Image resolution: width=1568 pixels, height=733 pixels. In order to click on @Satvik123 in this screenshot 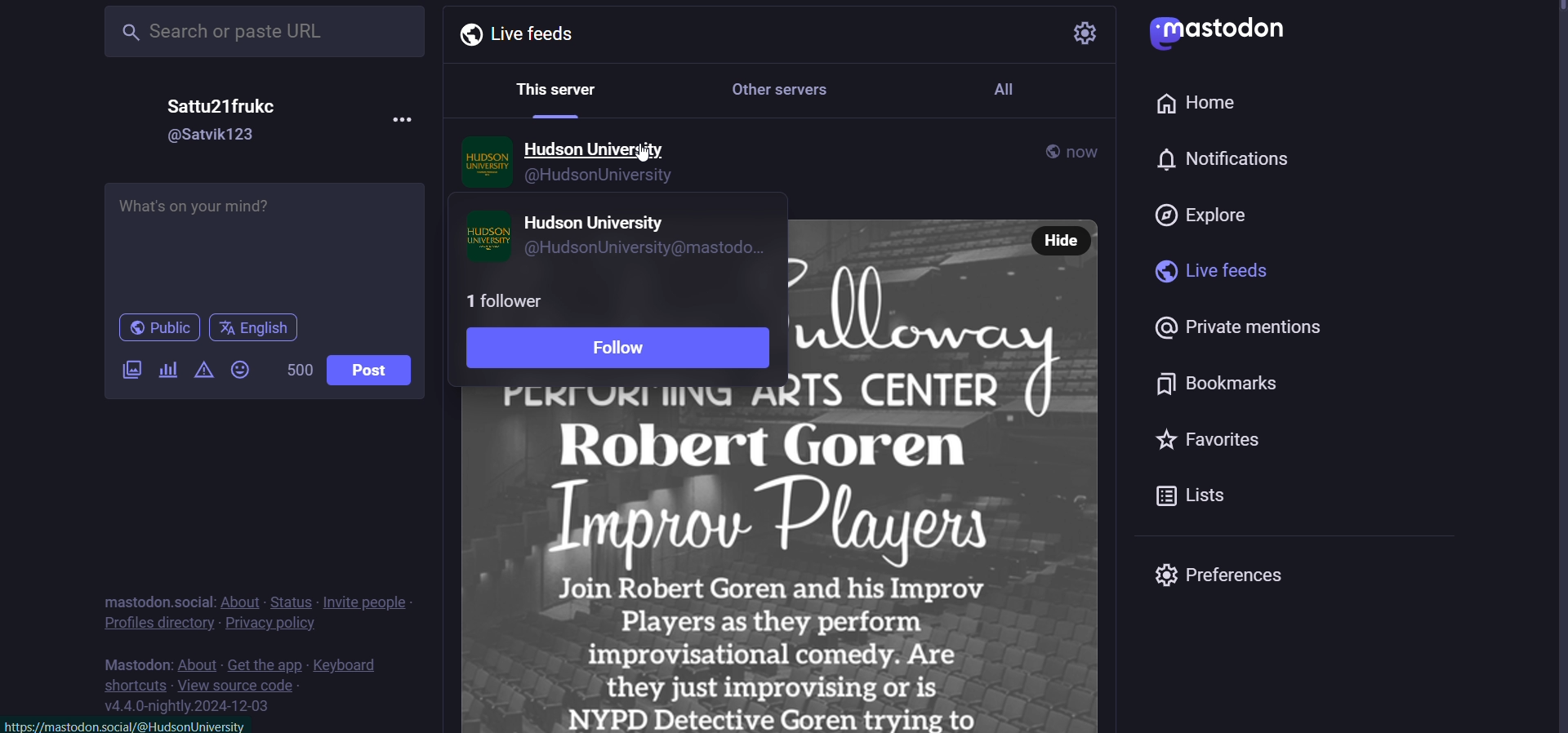, I will do `click(220, 136)`.